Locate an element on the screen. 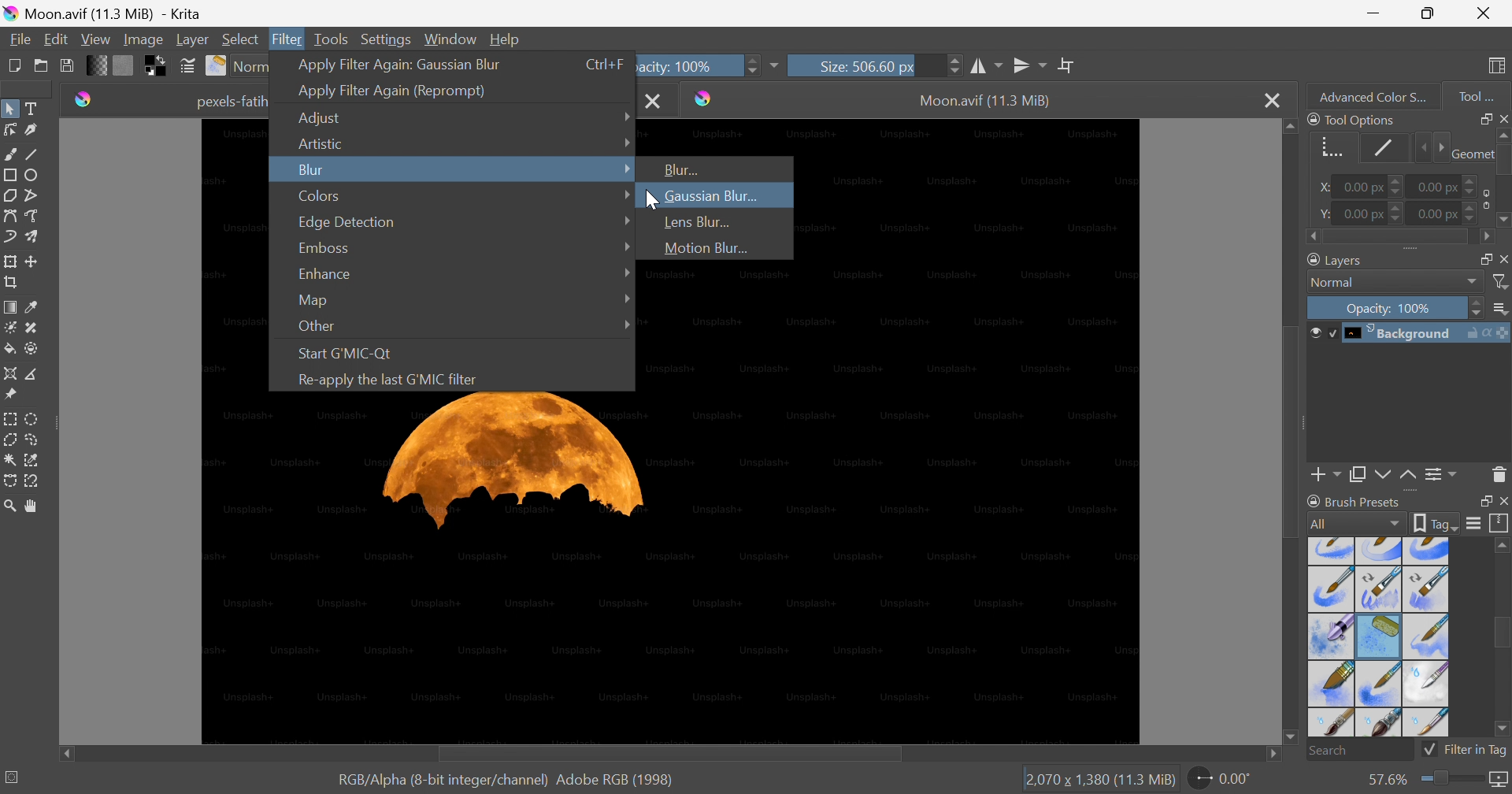  Moon.avif (11.3 MiB - Krita) is located at coordinates (101, 12).